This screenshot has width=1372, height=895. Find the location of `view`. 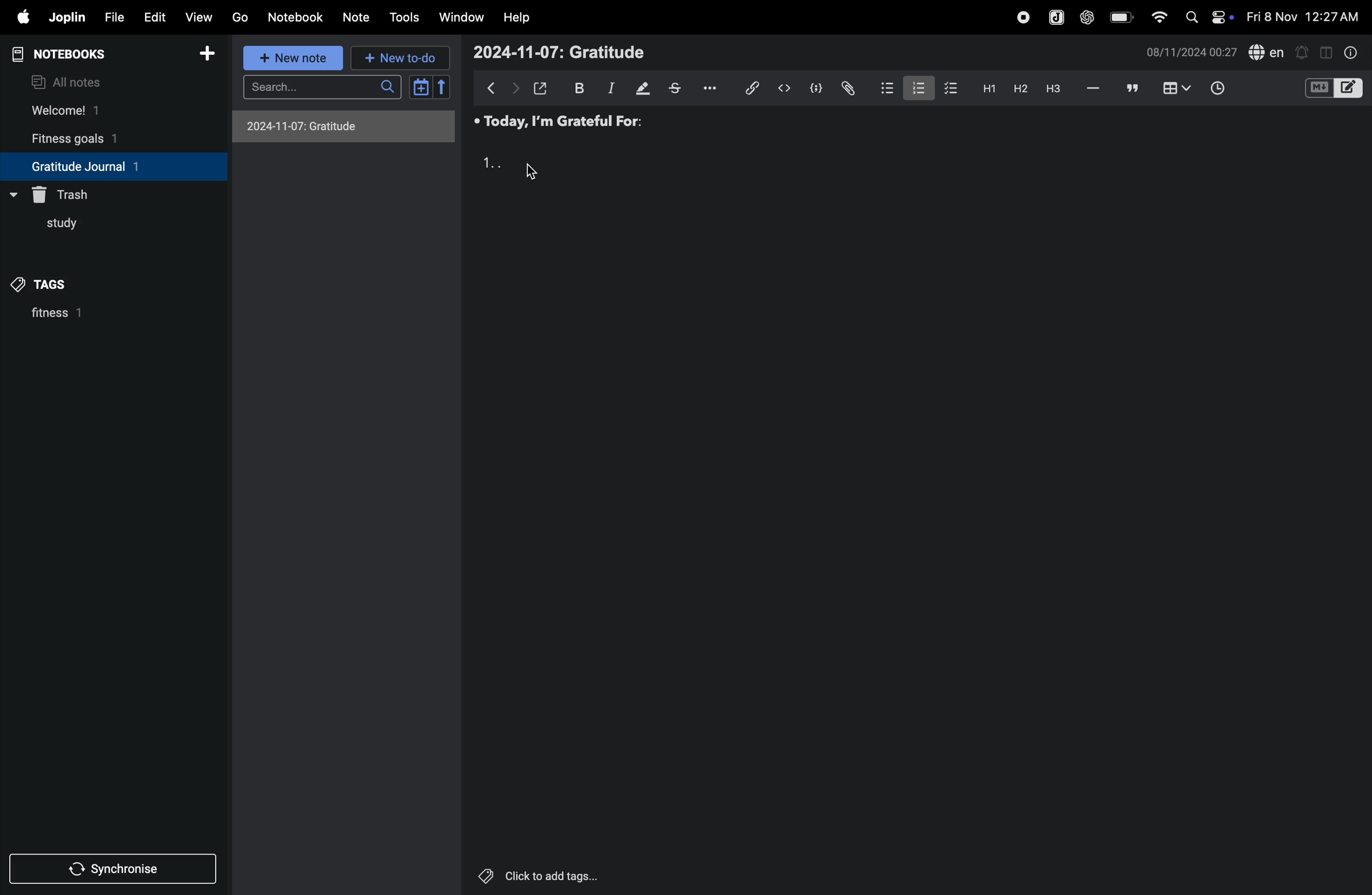

view is located at coordinates (195, 18).